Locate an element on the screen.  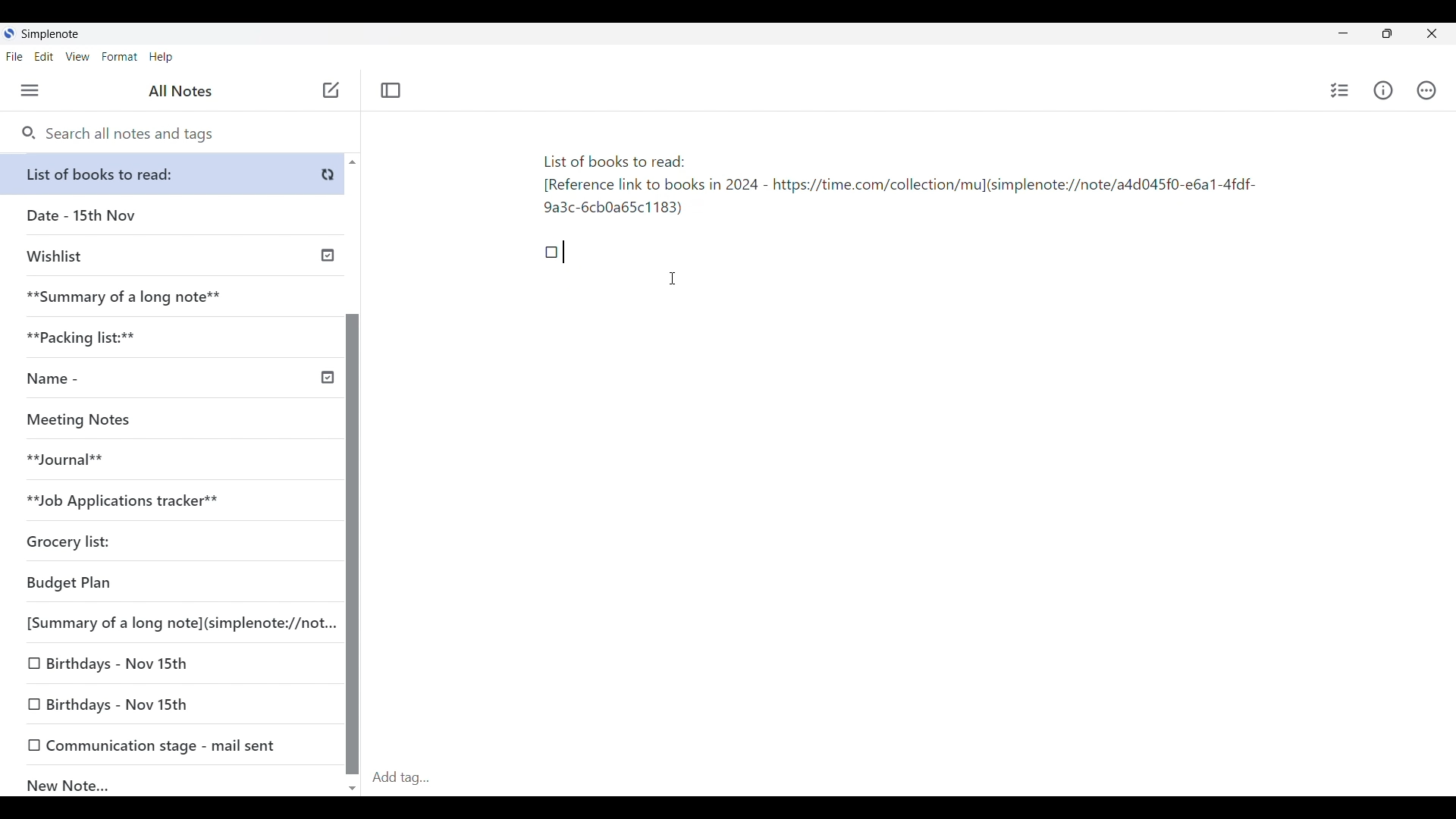
Minimize is located at coordinates (1340, 32).